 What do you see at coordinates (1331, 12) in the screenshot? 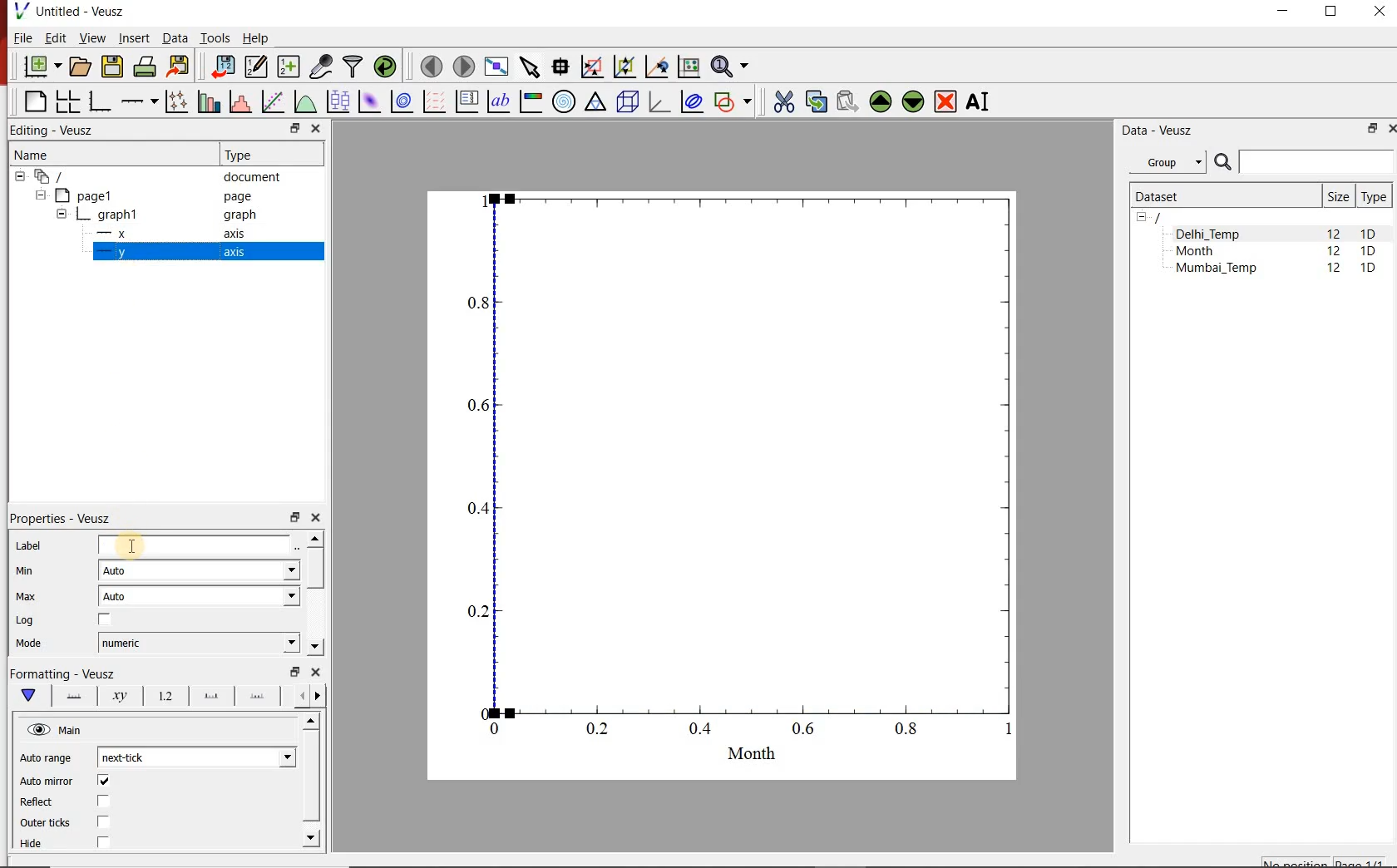
I see `RESTORE` at bounding box center [1331, 12].